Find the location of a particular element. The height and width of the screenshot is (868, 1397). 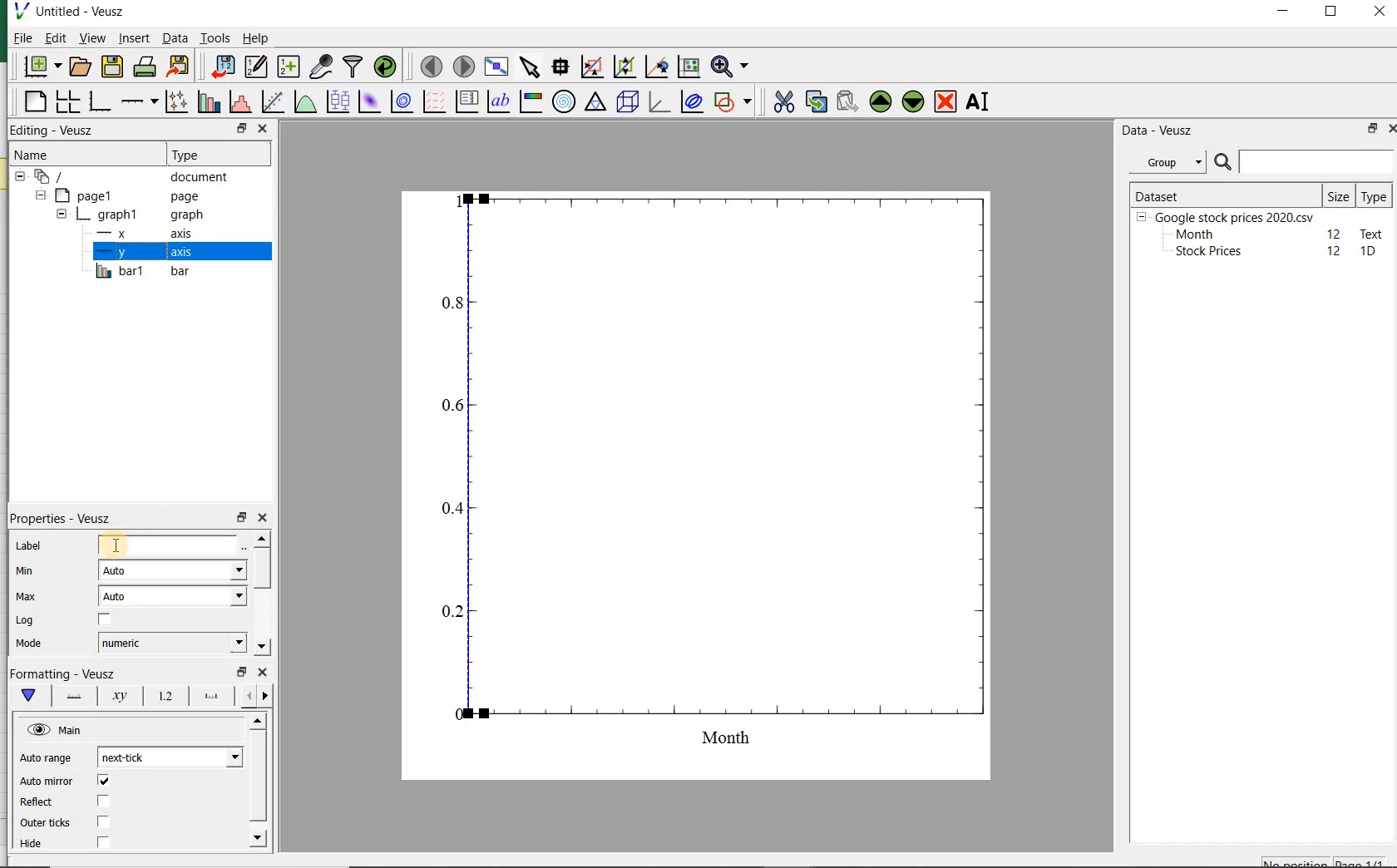

Month is located at coordinates (1193, 234).